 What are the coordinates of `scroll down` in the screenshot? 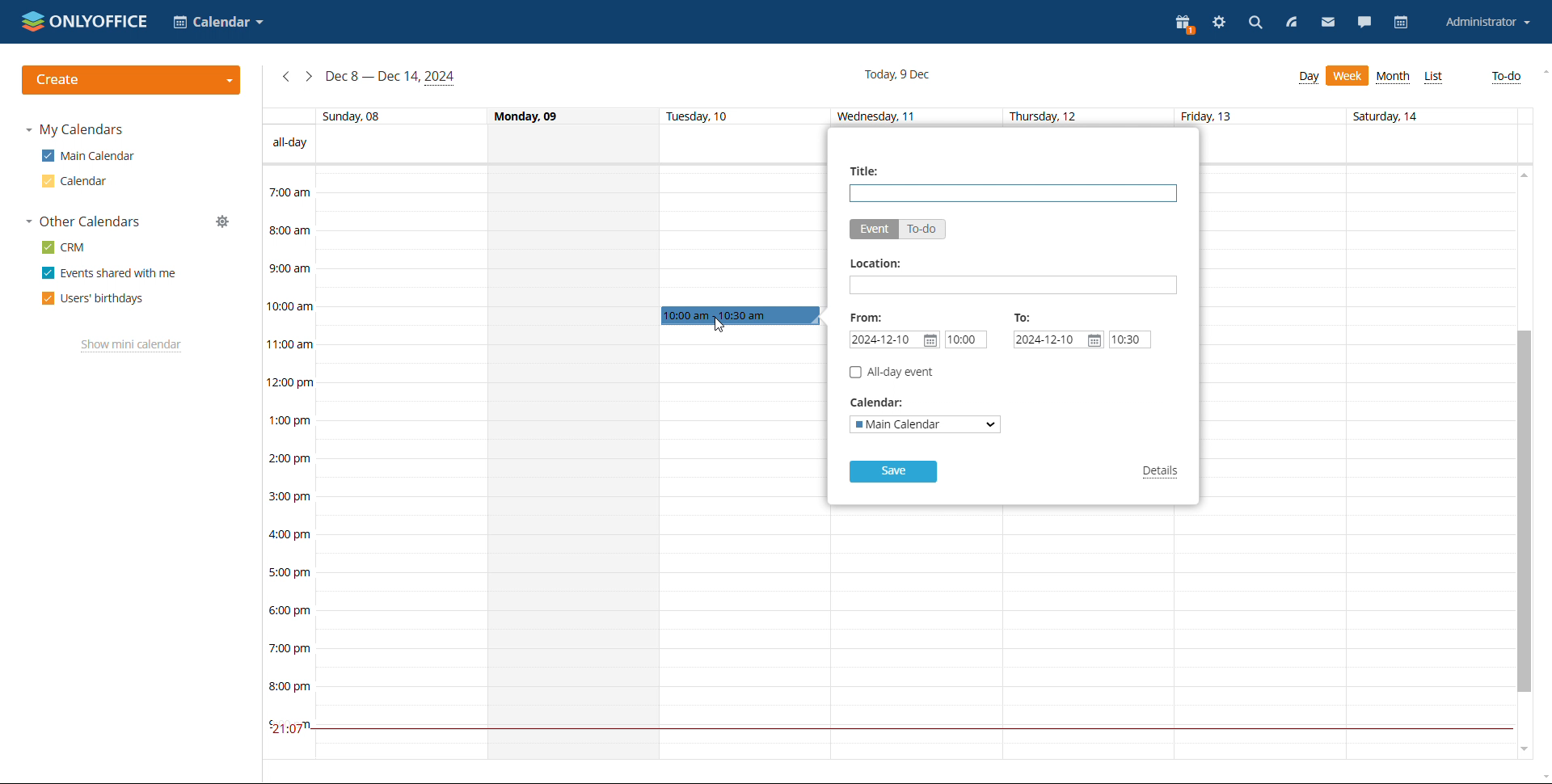 It's located at (1521, 752).